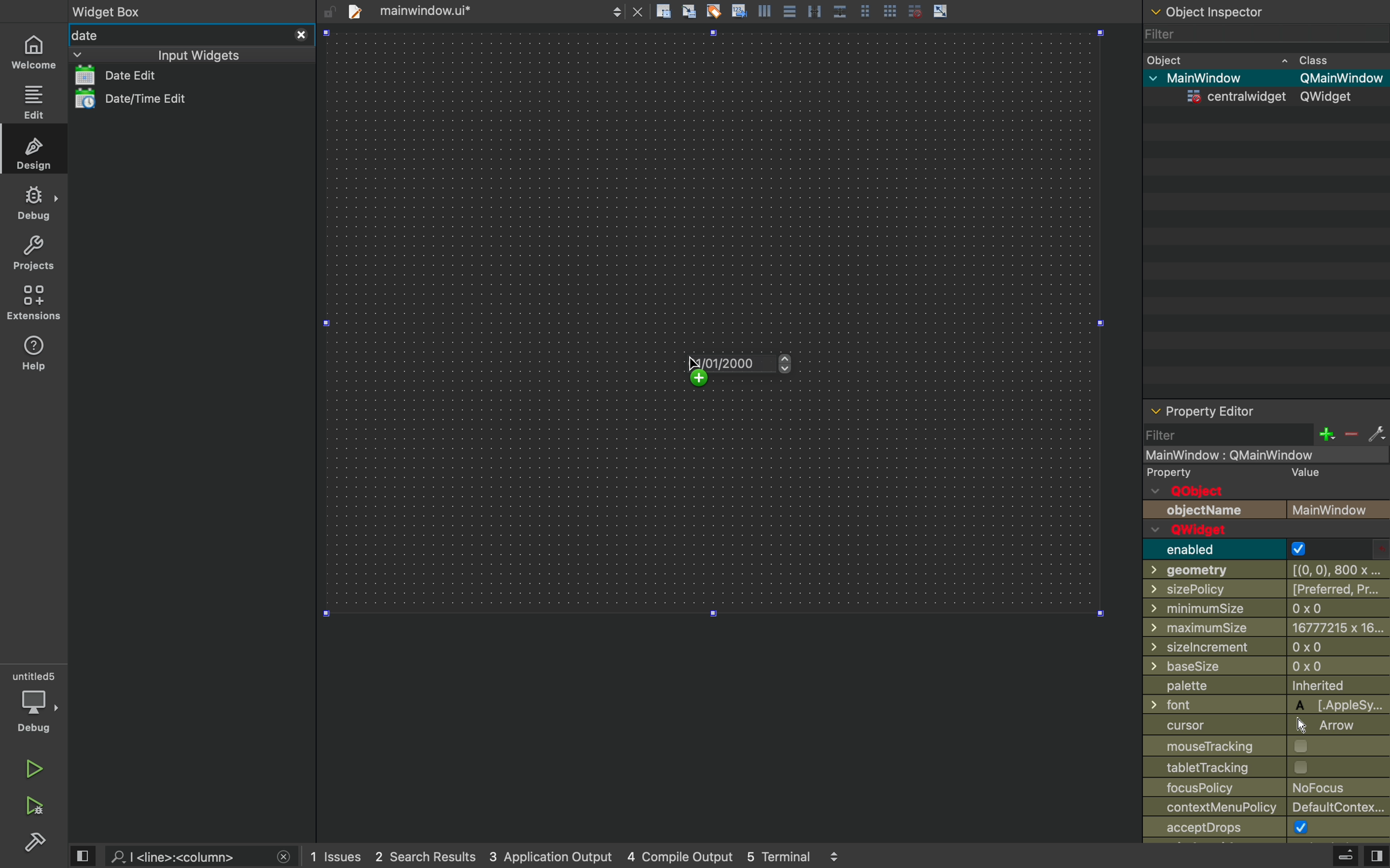 Image resolution: width=1390 pixels, height=868 pixels. Describe the element at coordinates (36, 842) in the screenshot. I see `build` at that location.